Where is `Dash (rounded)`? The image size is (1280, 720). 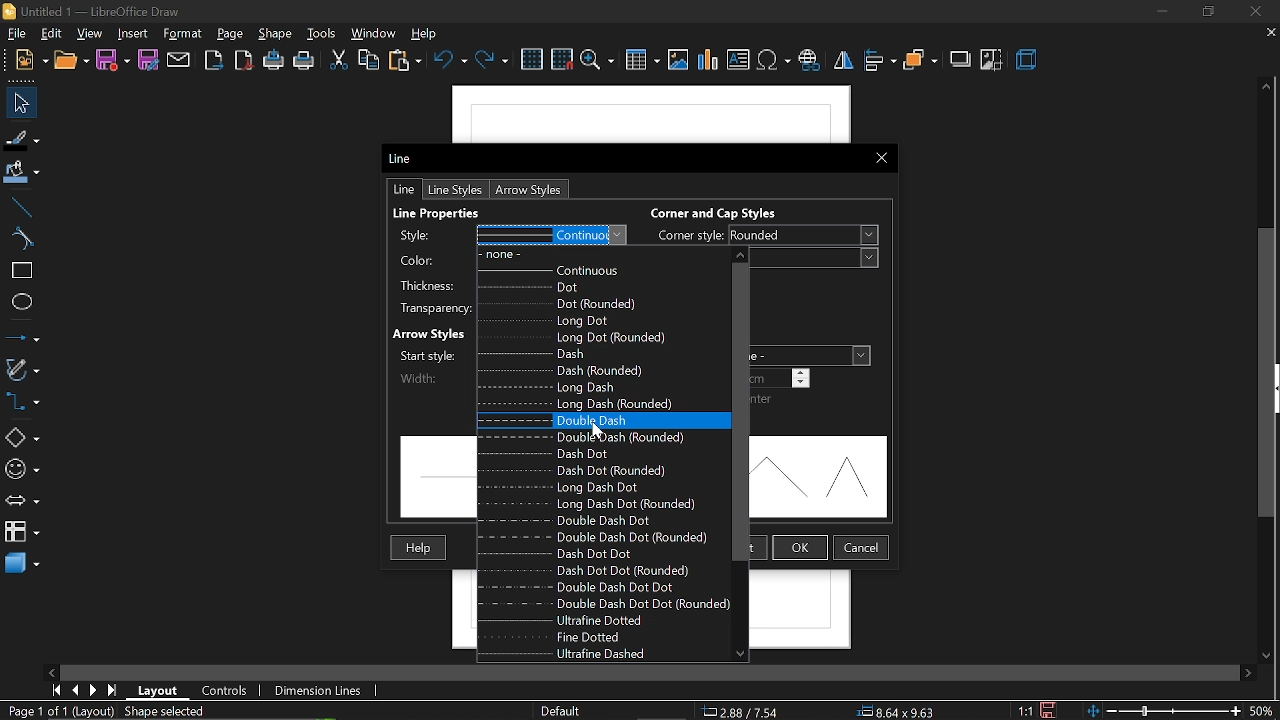
Dash (rounded) is located at coordinates (601, 370).